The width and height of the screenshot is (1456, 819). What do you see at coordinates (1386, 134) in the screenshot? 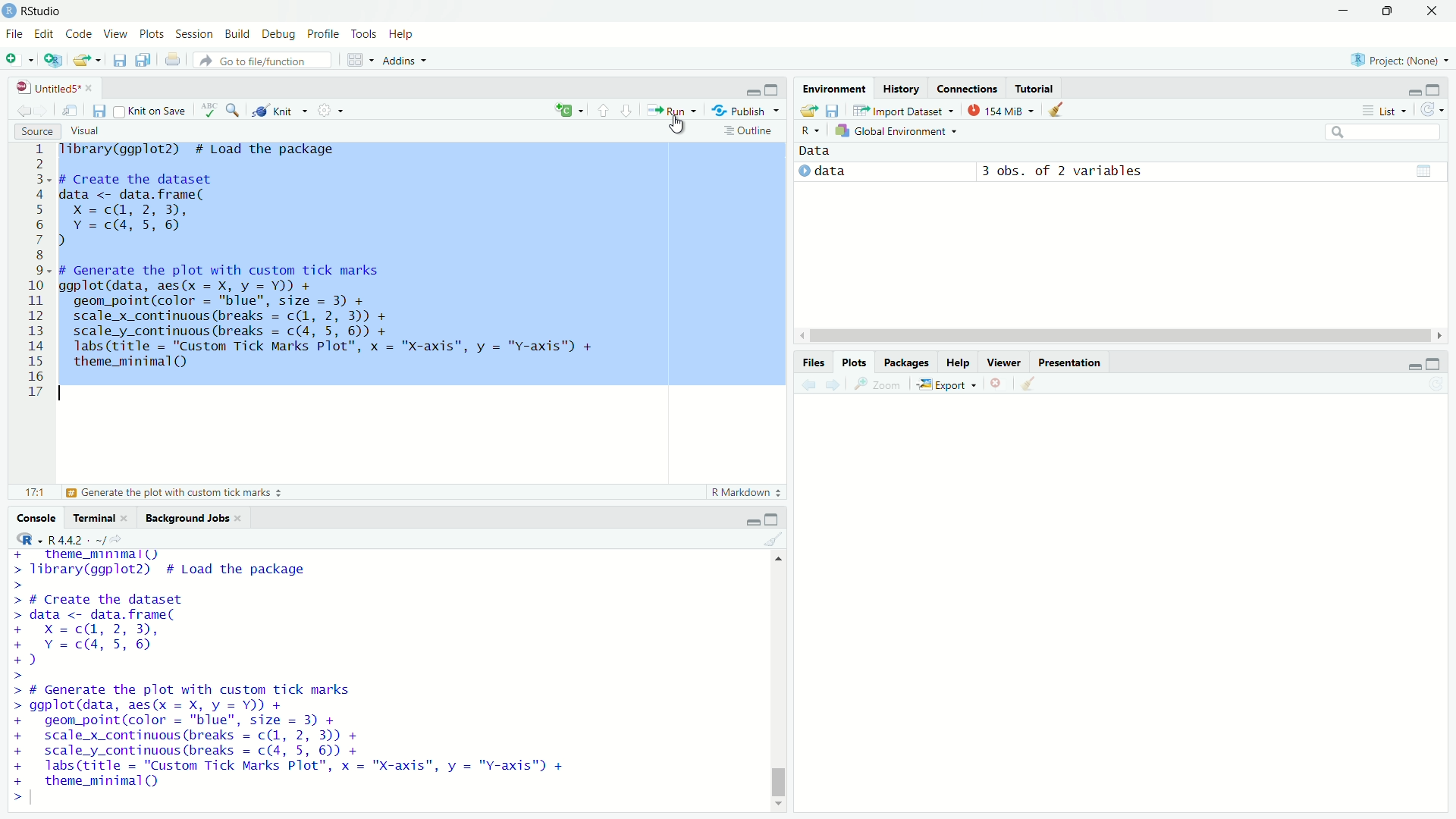
I see `search field` at bounding box center [1386, 134].